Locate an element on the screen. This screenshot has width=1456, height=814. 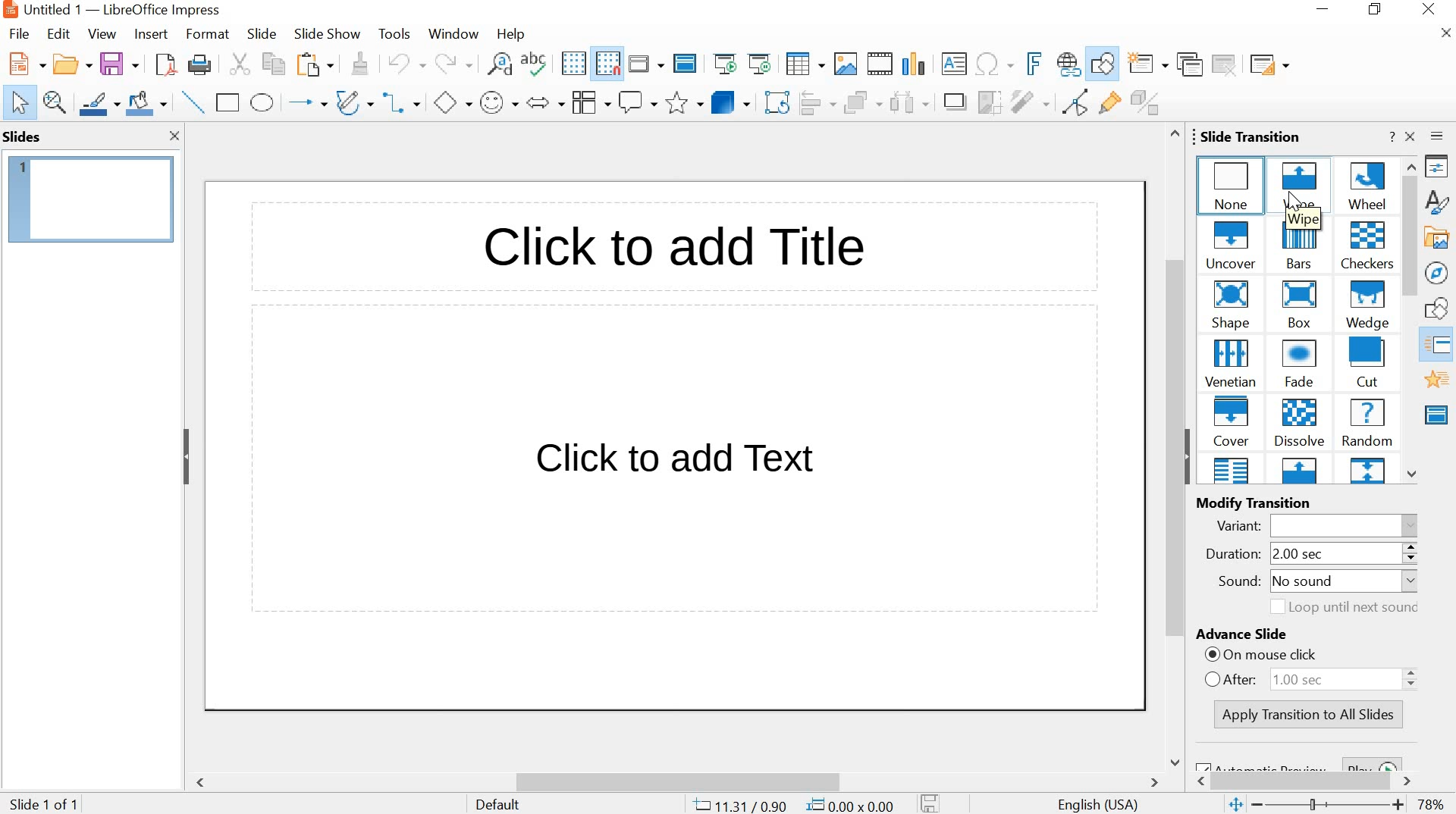
UNCOVER is located at coordinates (1234, 246).